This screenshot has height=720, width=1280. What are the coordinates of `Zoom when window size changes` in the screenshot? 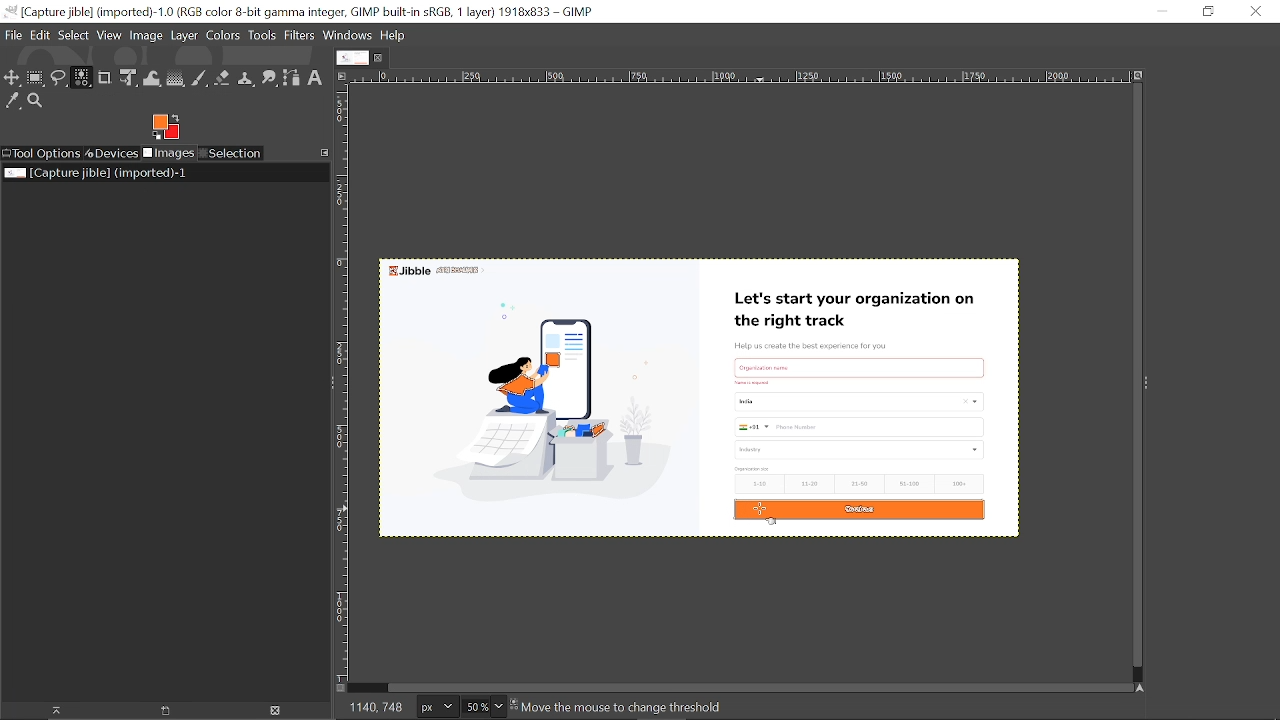 It's located at (1136, 77).